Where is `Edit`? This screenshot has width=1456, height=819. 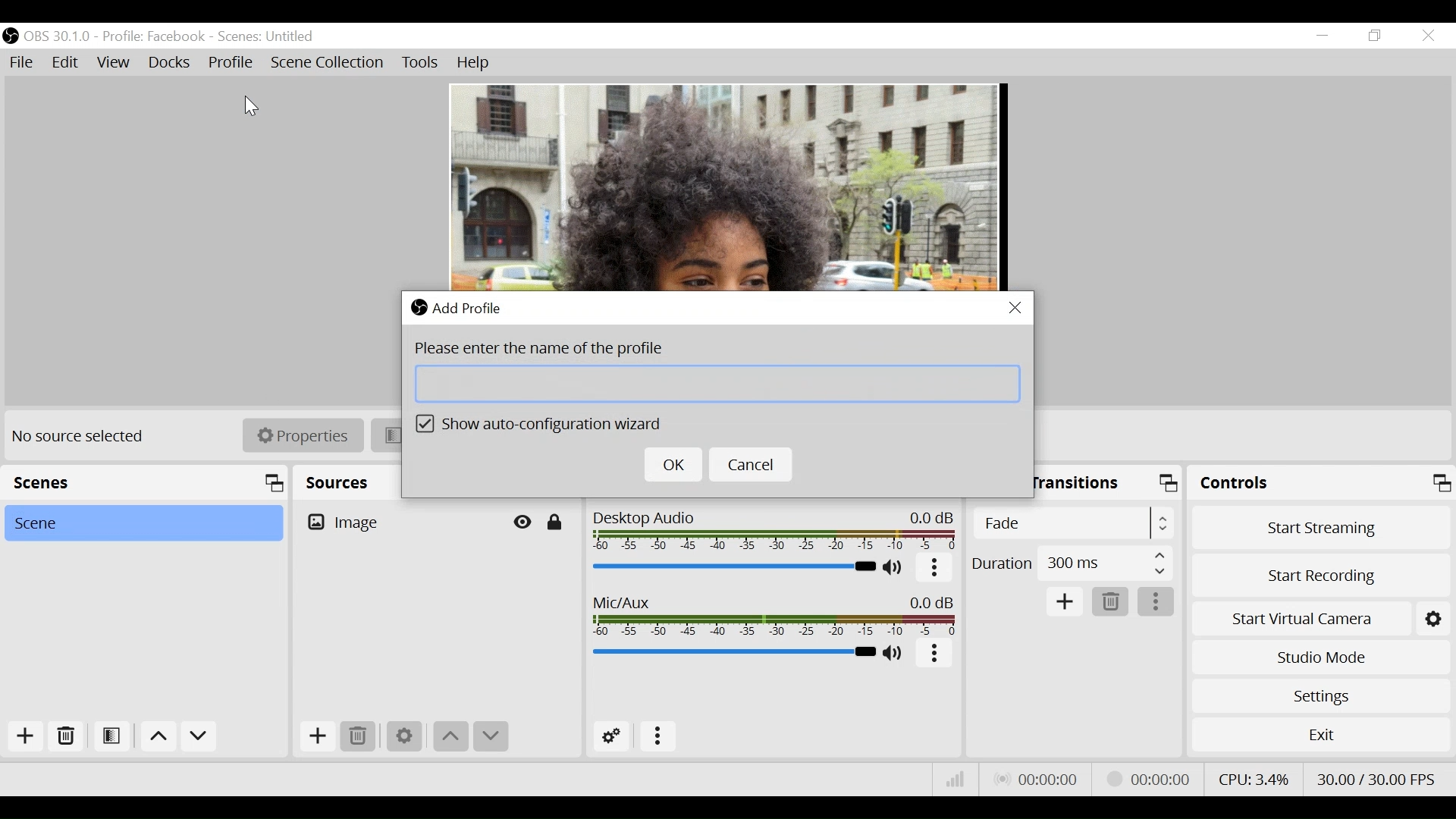
Edit is located at coordinates (67, 63).